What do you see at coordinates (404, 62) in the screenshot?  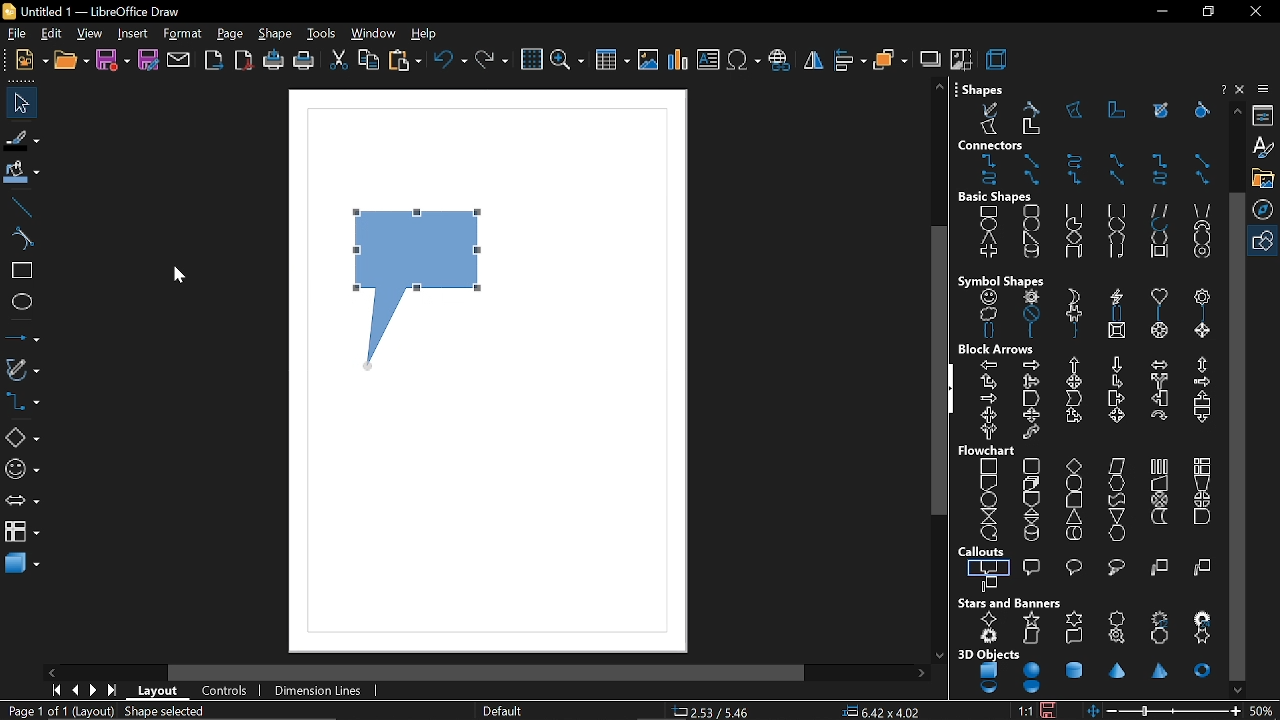 I see `paste` at bounding box center [404, 62].